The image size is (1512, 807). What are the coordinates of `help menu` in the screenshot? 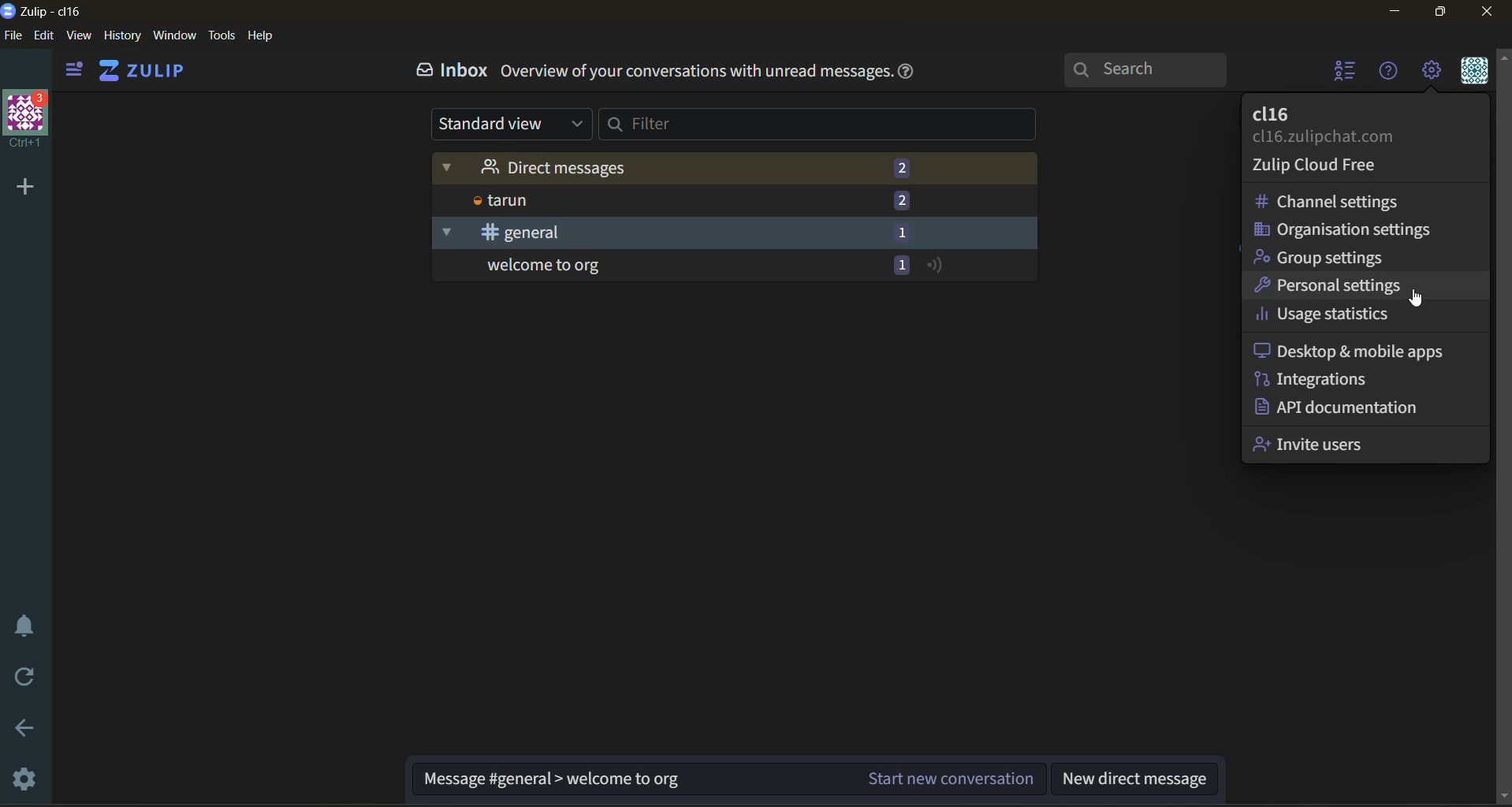 It's located at (1386, 72).